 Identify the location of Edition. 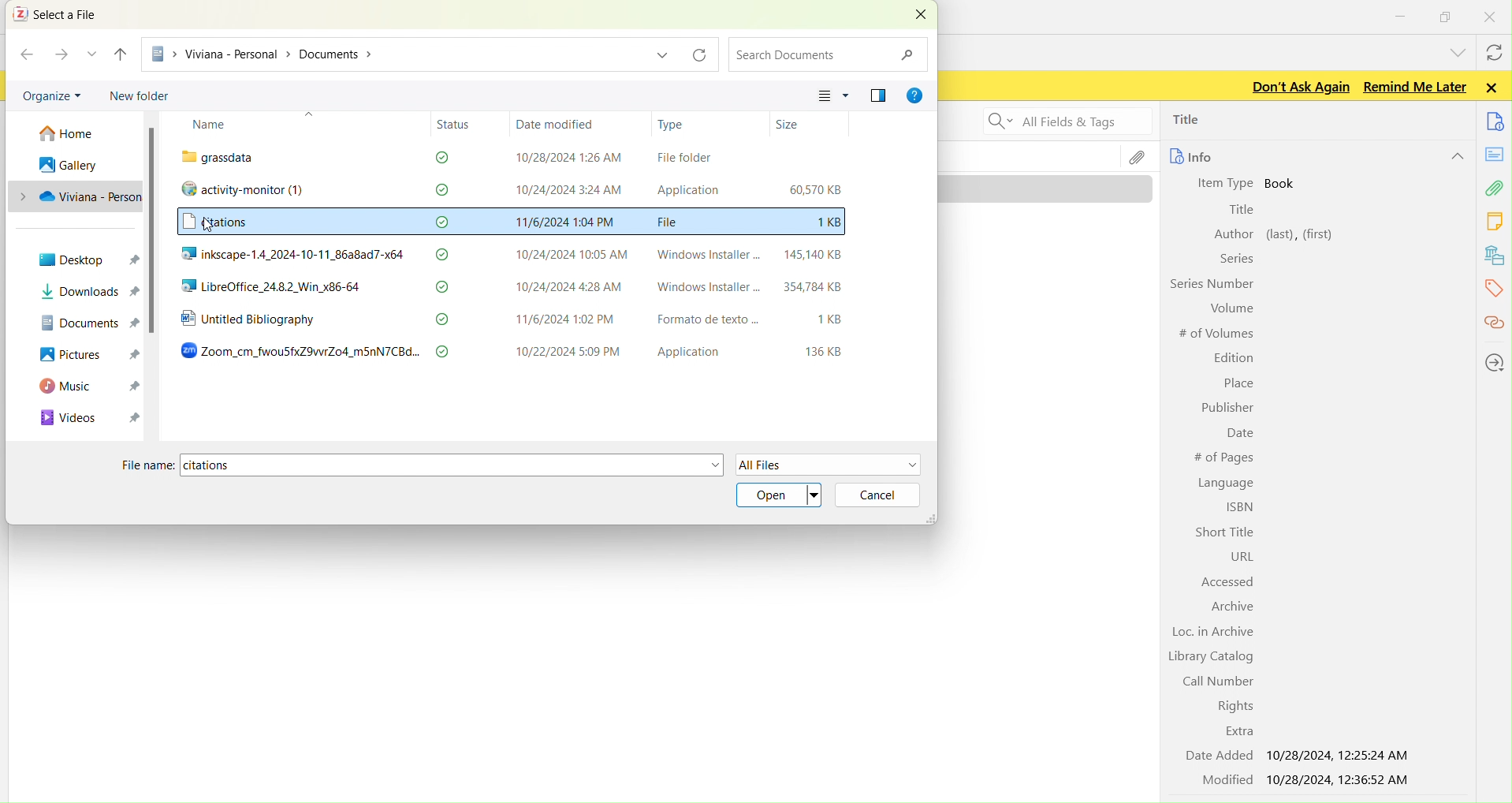
(1230, 357).